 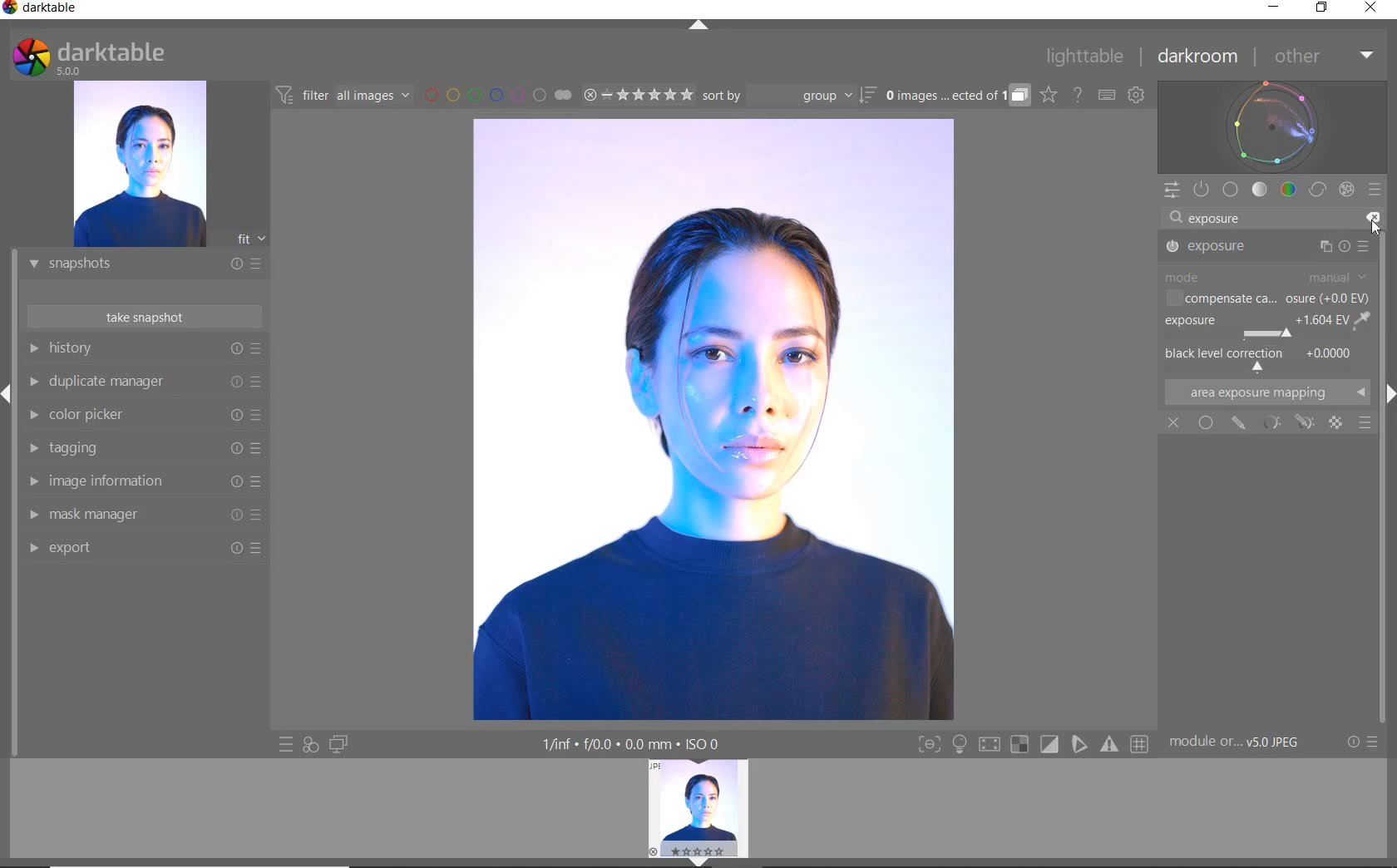 What do you see at coordinates (1266, 300) in the screenshot?
I see `COMPENSATE CA..OSURE` at bounding box center [1266, 300].